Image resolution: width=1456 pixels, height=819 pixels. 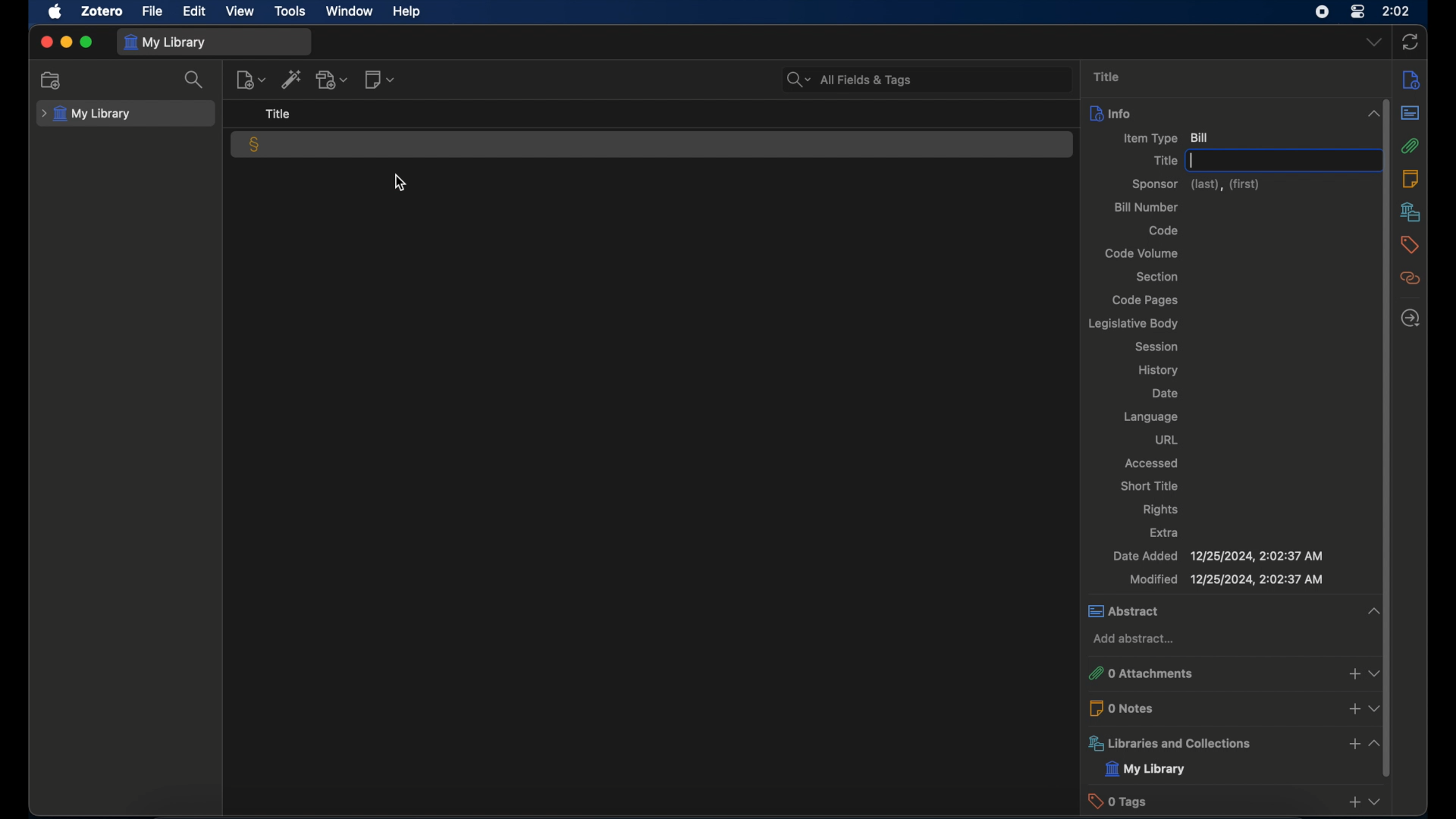 What do you see at coordinates (1166, 439) in the screenshot?
I see `url` at bounding box center [1166, 439].